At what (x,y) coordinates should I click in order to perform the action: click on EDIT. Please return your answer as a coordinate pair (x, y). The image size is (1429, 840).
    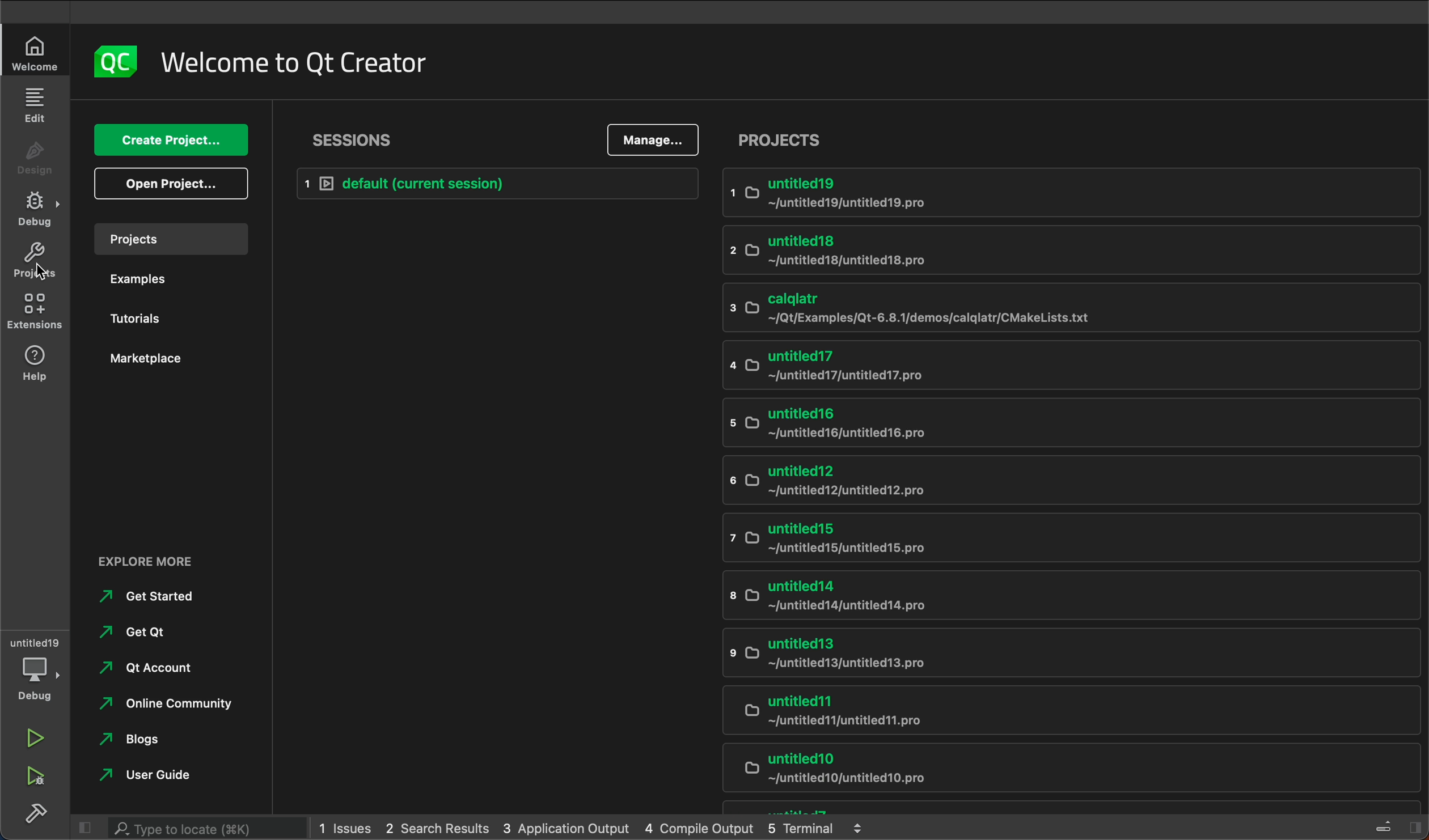
    Looking at the image, I should click on (37, 104).